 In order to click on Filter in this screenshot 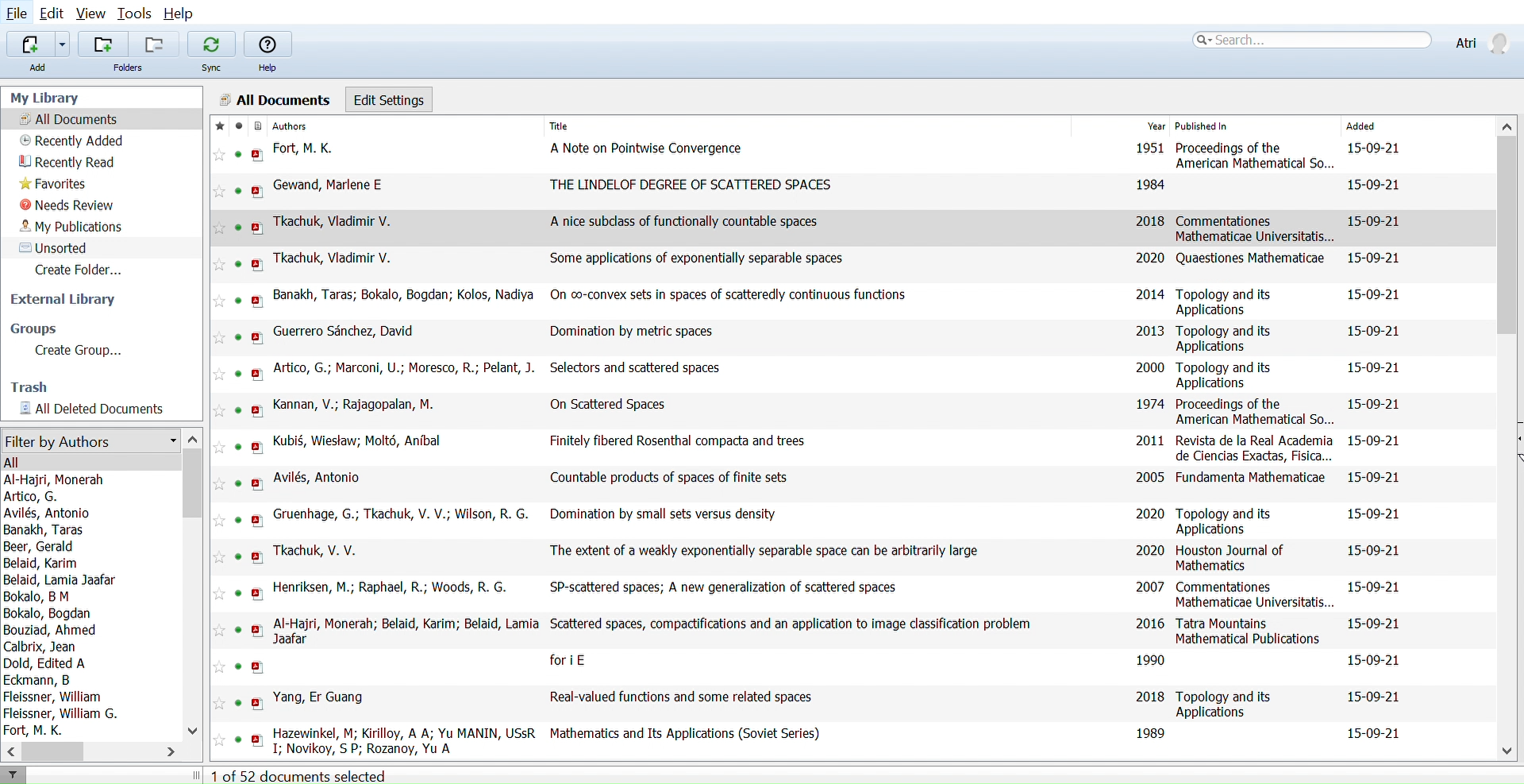, I will do `click(14, 775)`.